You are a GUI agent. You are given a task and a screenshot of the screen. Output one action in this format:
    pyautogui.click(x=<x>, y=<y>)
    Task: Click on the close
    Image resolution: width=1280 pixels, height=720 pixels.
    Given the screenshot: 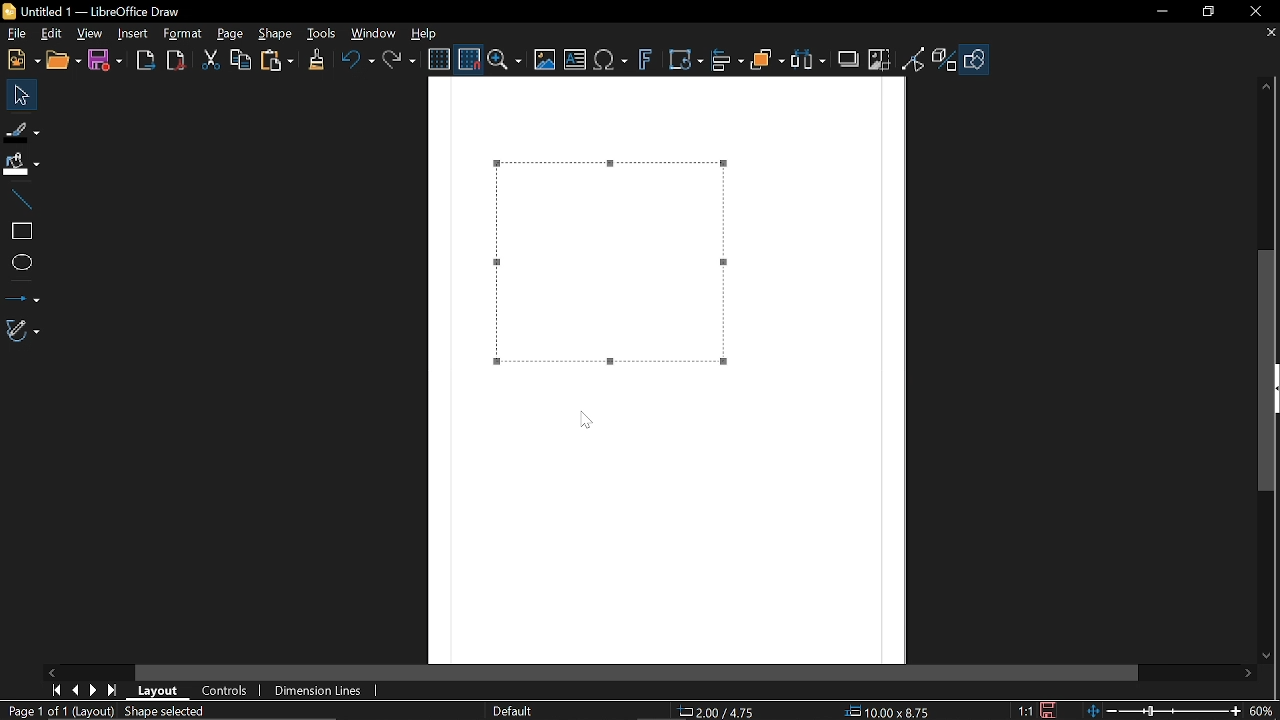 What is the action you would take?
    pyautogui.click(x=1255, y=12)
    